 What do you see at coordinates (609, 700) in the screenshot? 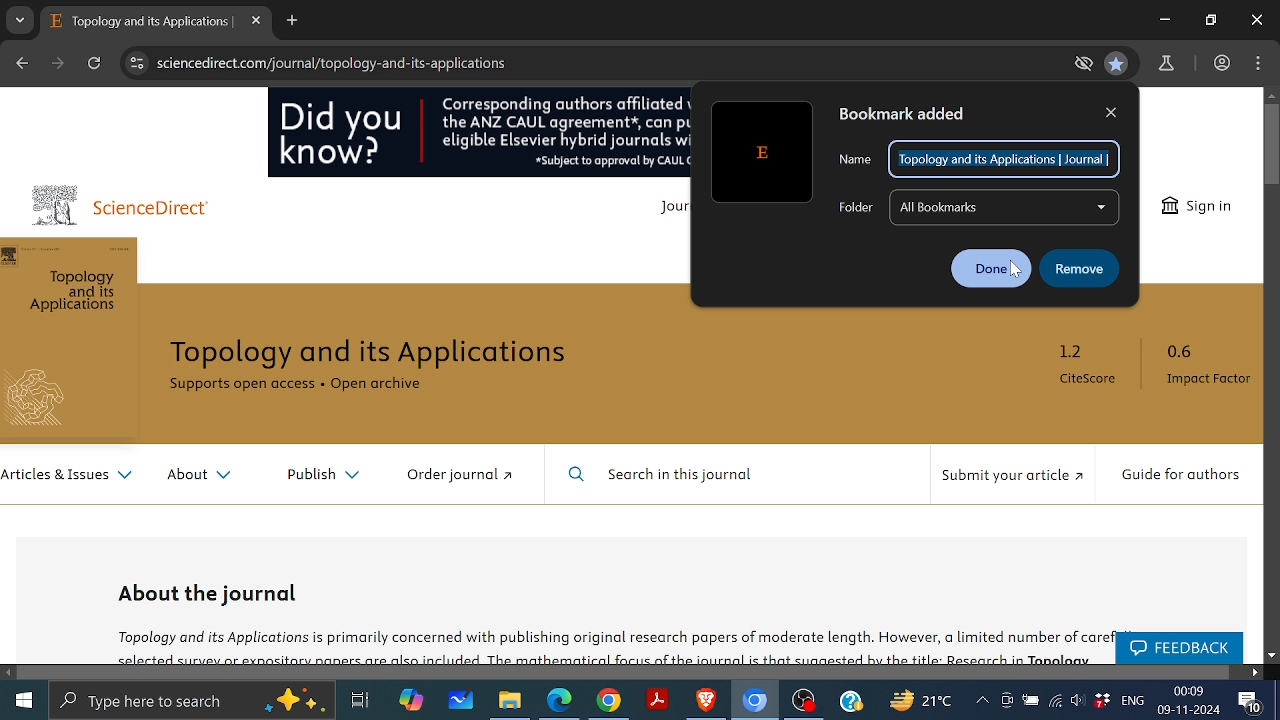
I see `Google Chrome` at bounding box center [609, 700].